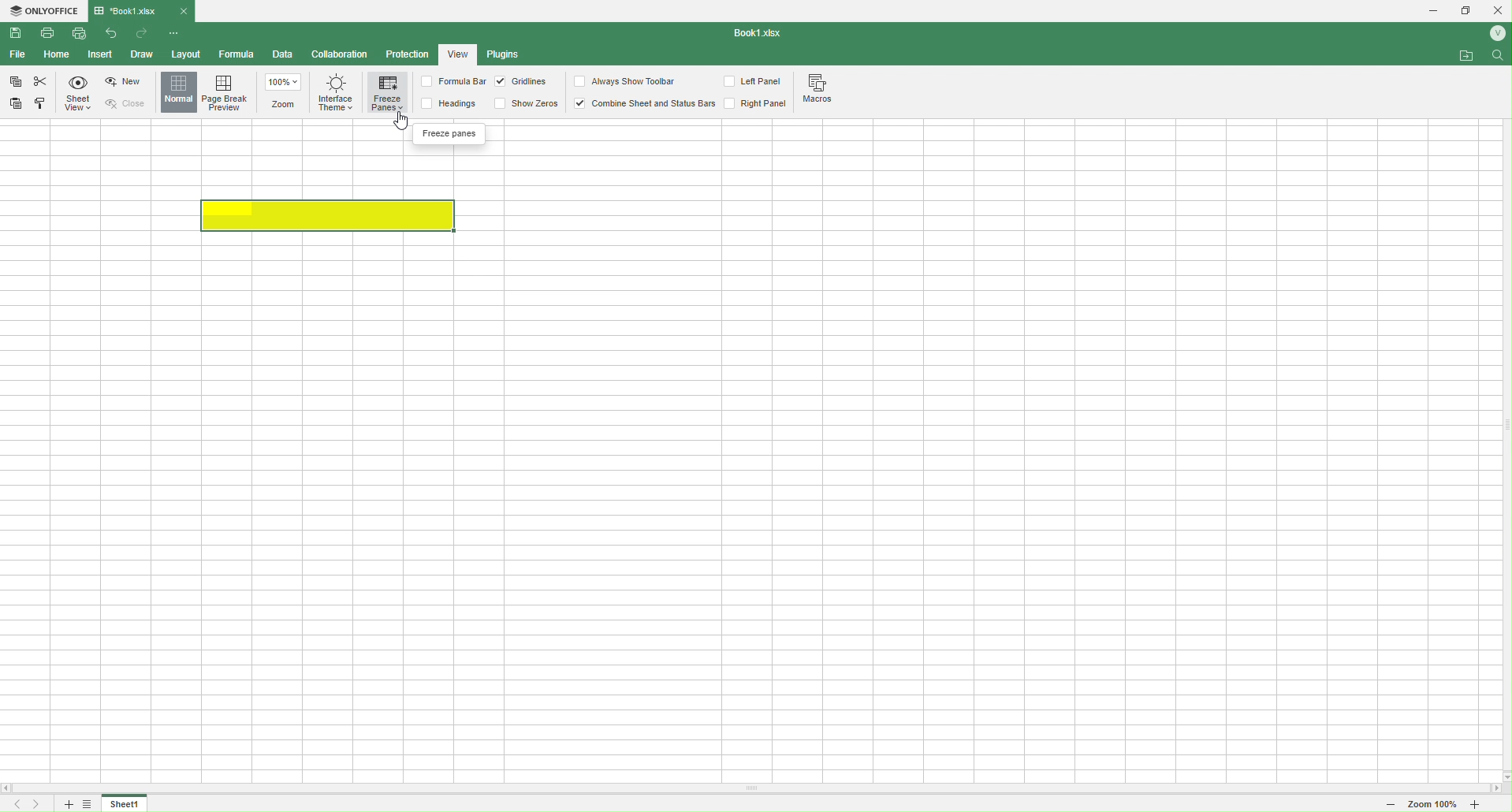 The width and height of the screenshot is (1512, 812). I want to click on Right Panel, so click(756, 104).